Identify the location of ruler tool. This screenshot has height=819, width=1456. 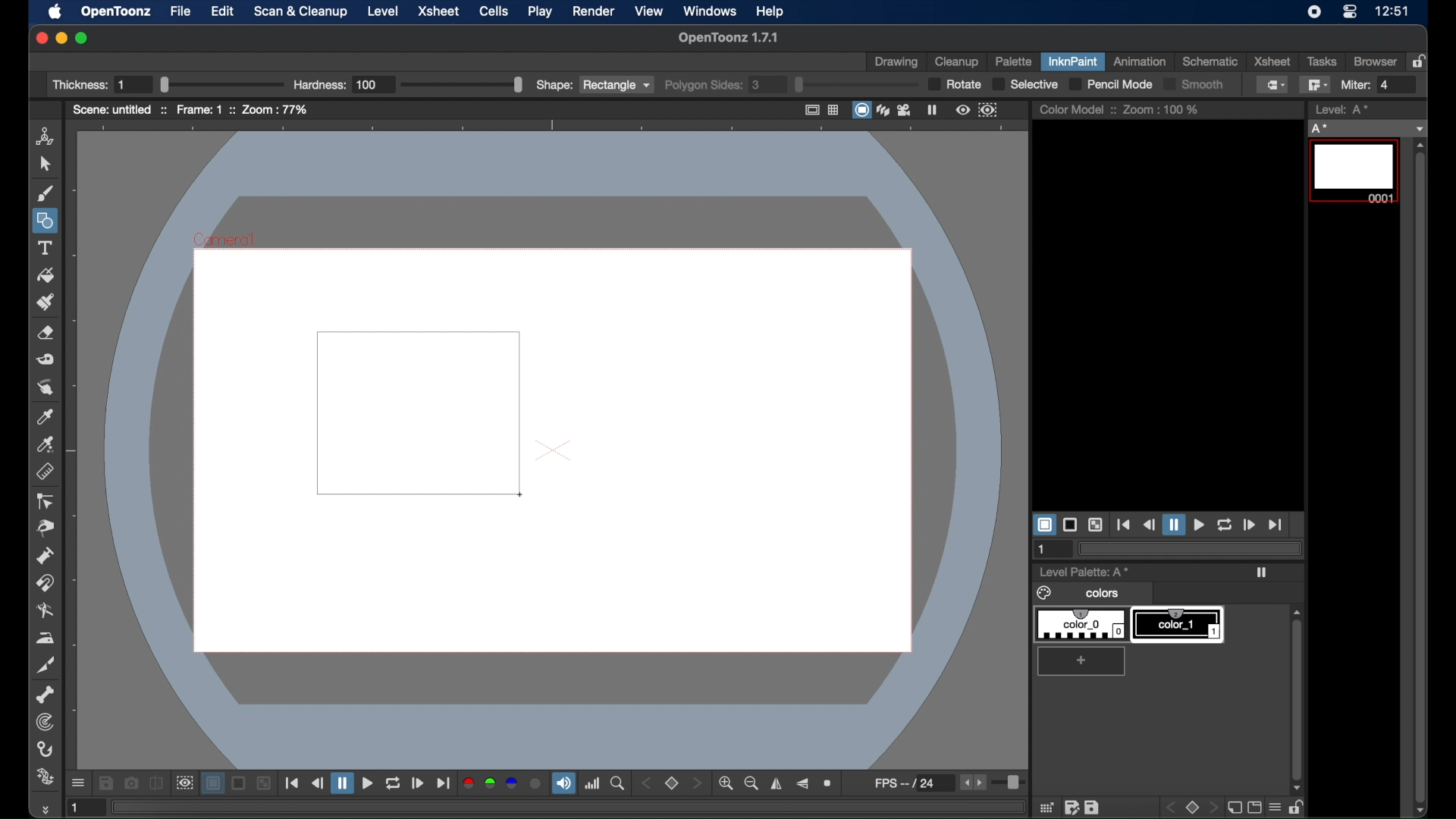
(45, 472).